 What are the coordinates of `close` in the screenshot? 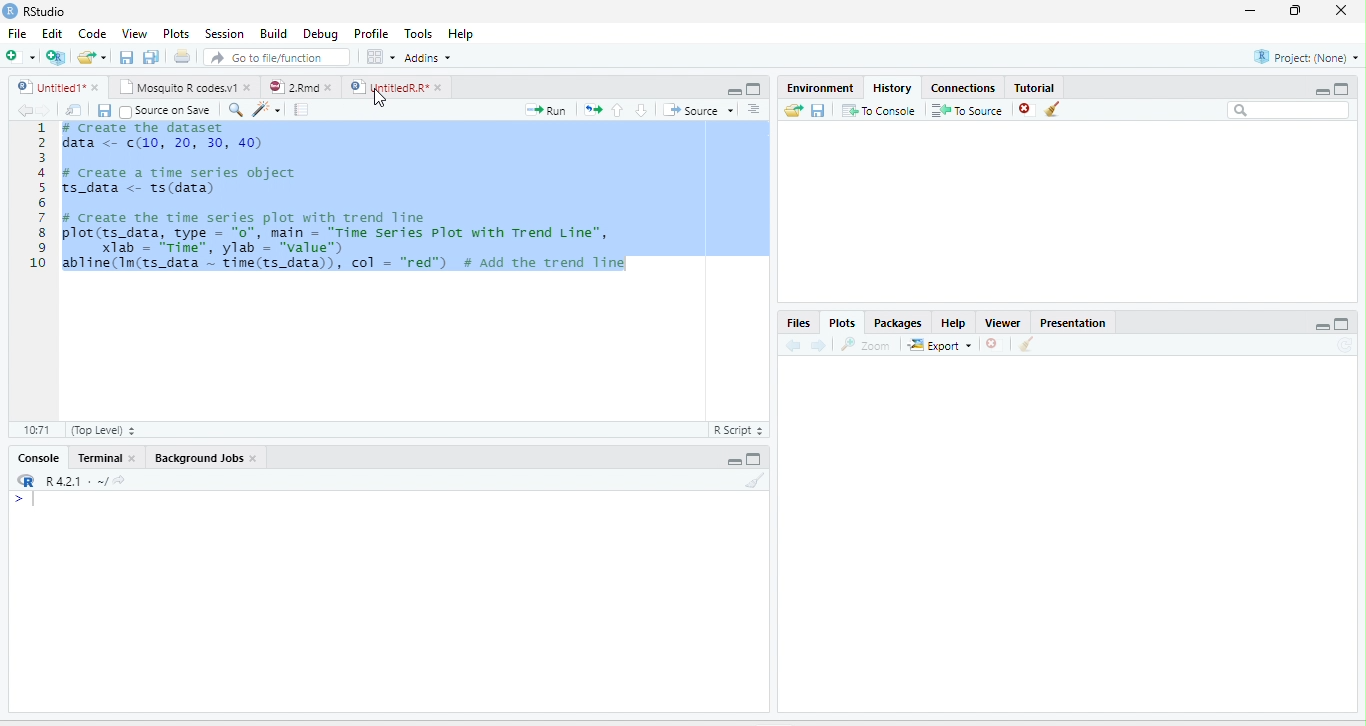 It's located at (95, 87).